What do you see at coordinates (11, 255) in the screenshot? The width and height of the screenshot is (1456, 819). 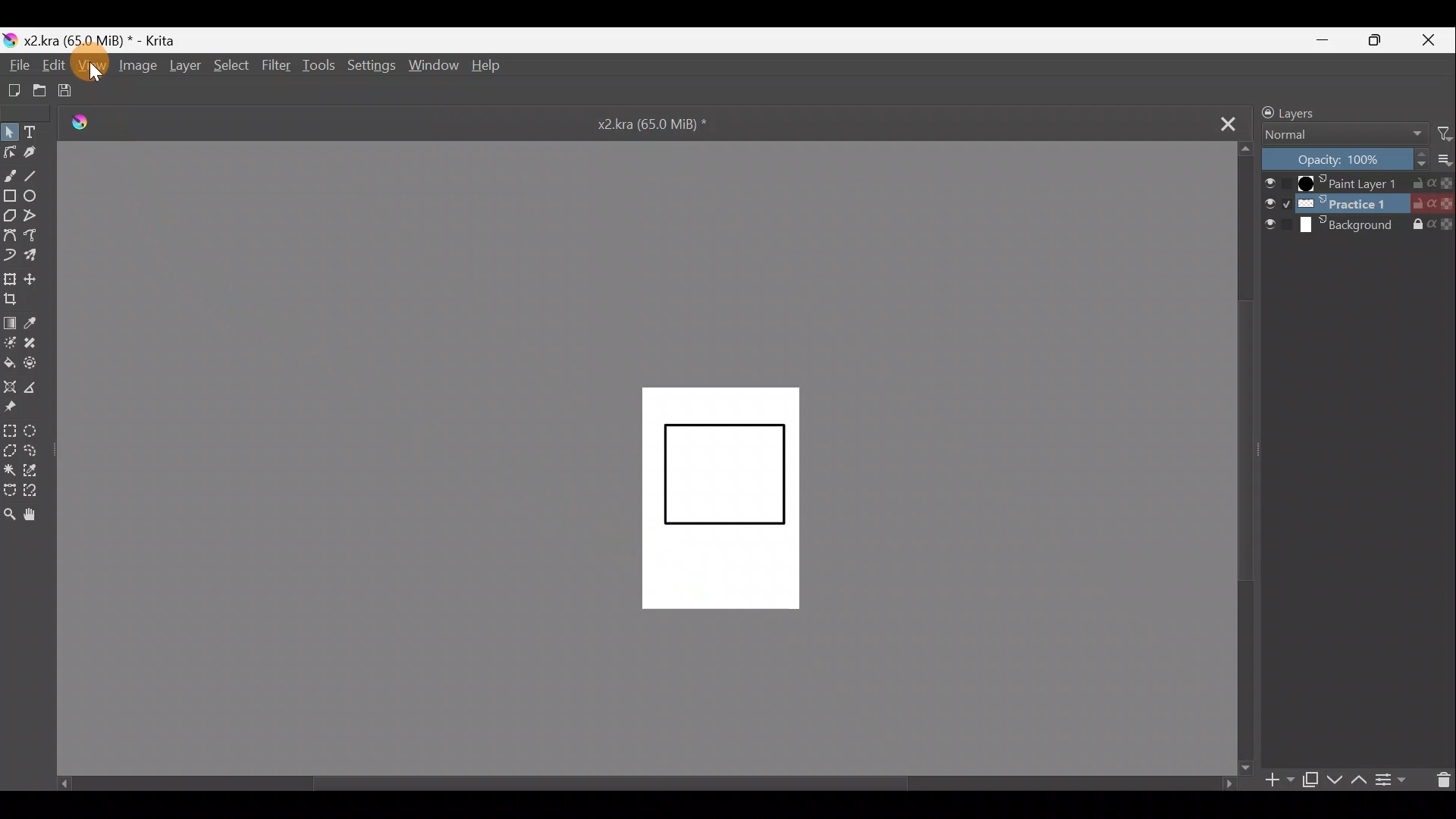 I see `Dynamic brush tool` at bounding box center [11, 255].